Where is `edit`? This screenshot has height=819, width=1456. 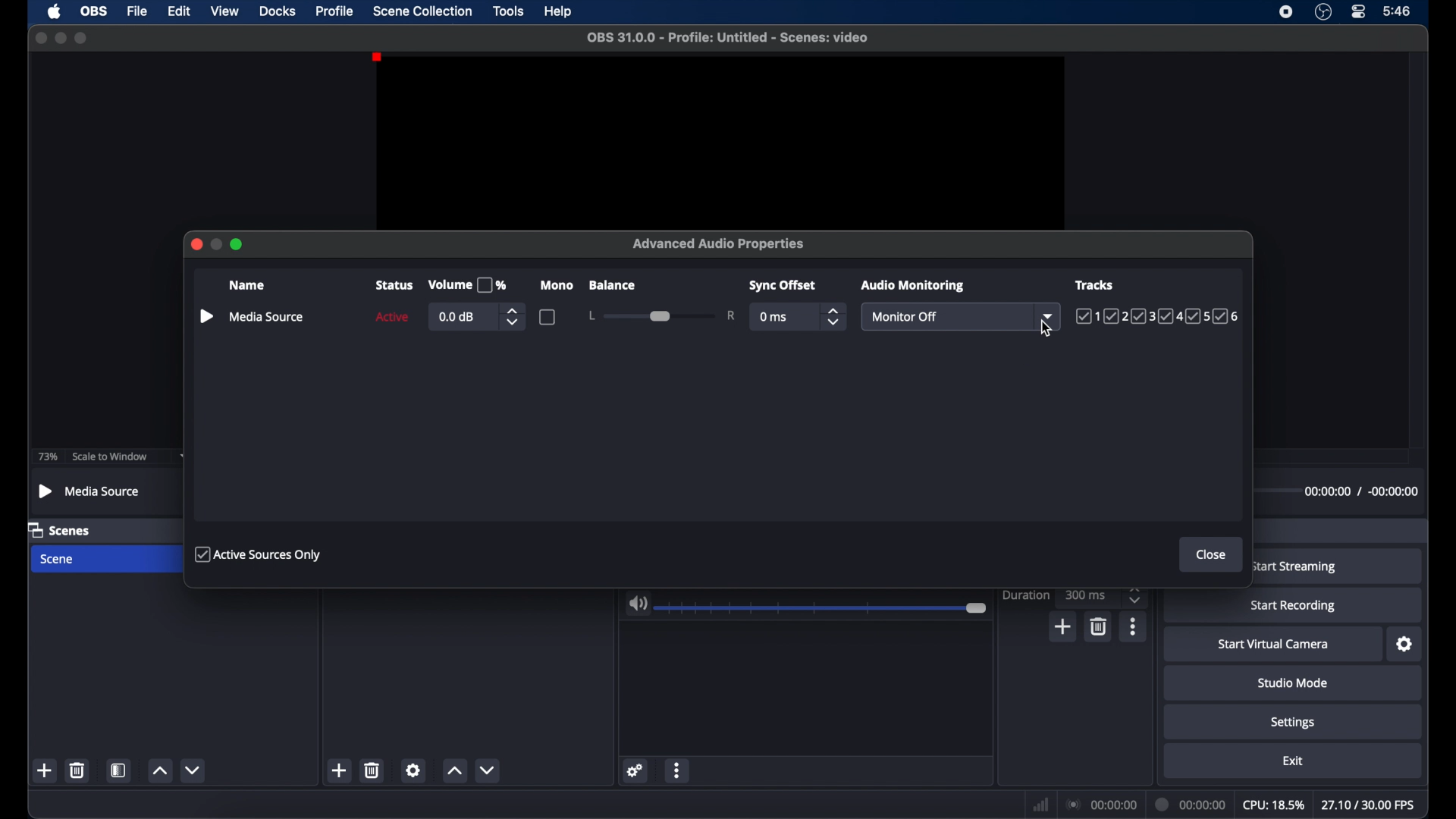 edit is located at coordinates (178, 11).